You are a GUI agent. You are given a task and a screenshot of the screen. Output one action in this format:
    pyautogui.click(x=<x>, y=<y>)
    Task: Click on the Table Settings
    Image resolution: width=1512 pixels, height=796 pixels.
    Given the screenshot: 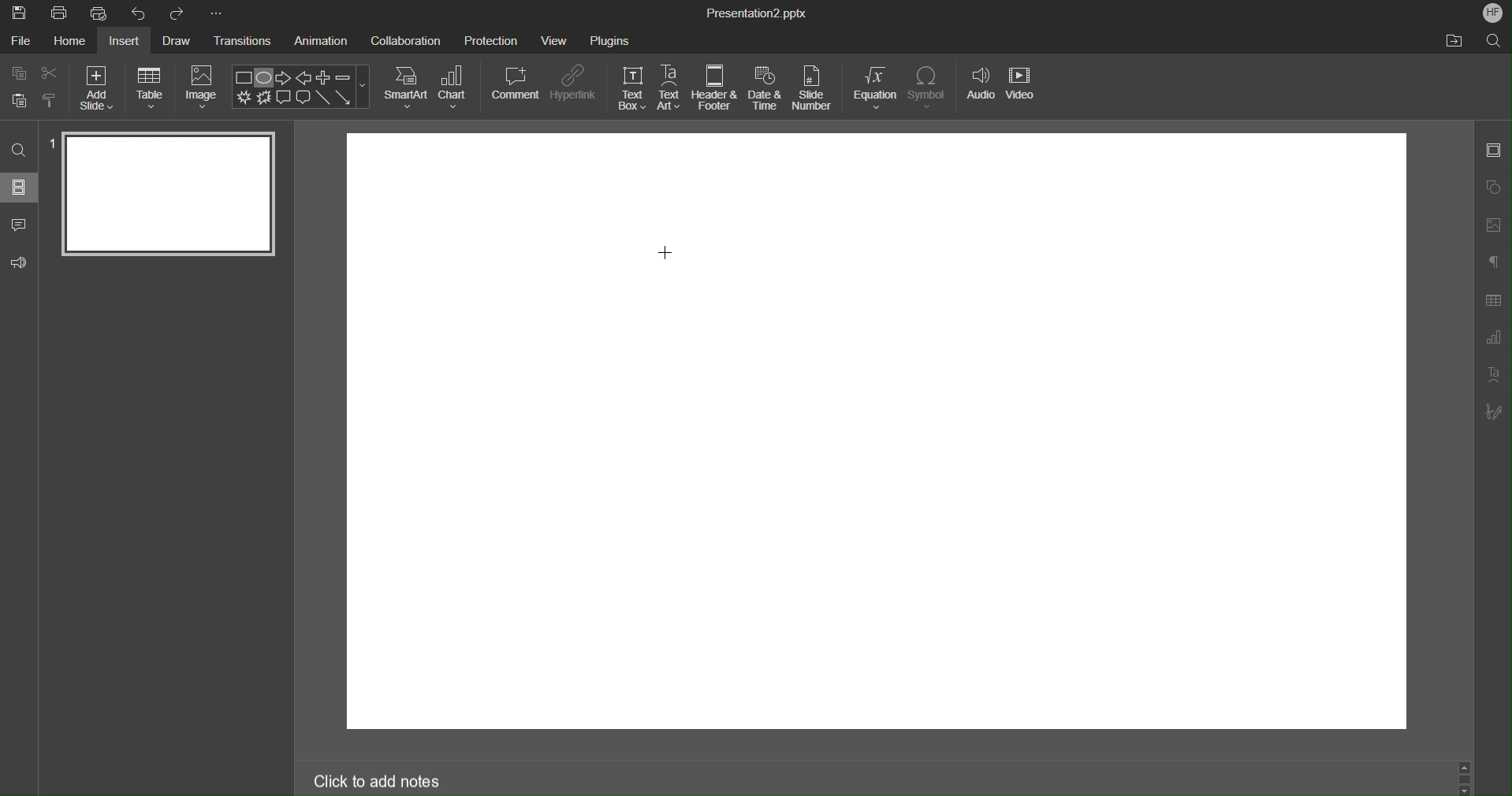 What is the action you would take?
    pyautogui.click(x=1492, y=300)
    